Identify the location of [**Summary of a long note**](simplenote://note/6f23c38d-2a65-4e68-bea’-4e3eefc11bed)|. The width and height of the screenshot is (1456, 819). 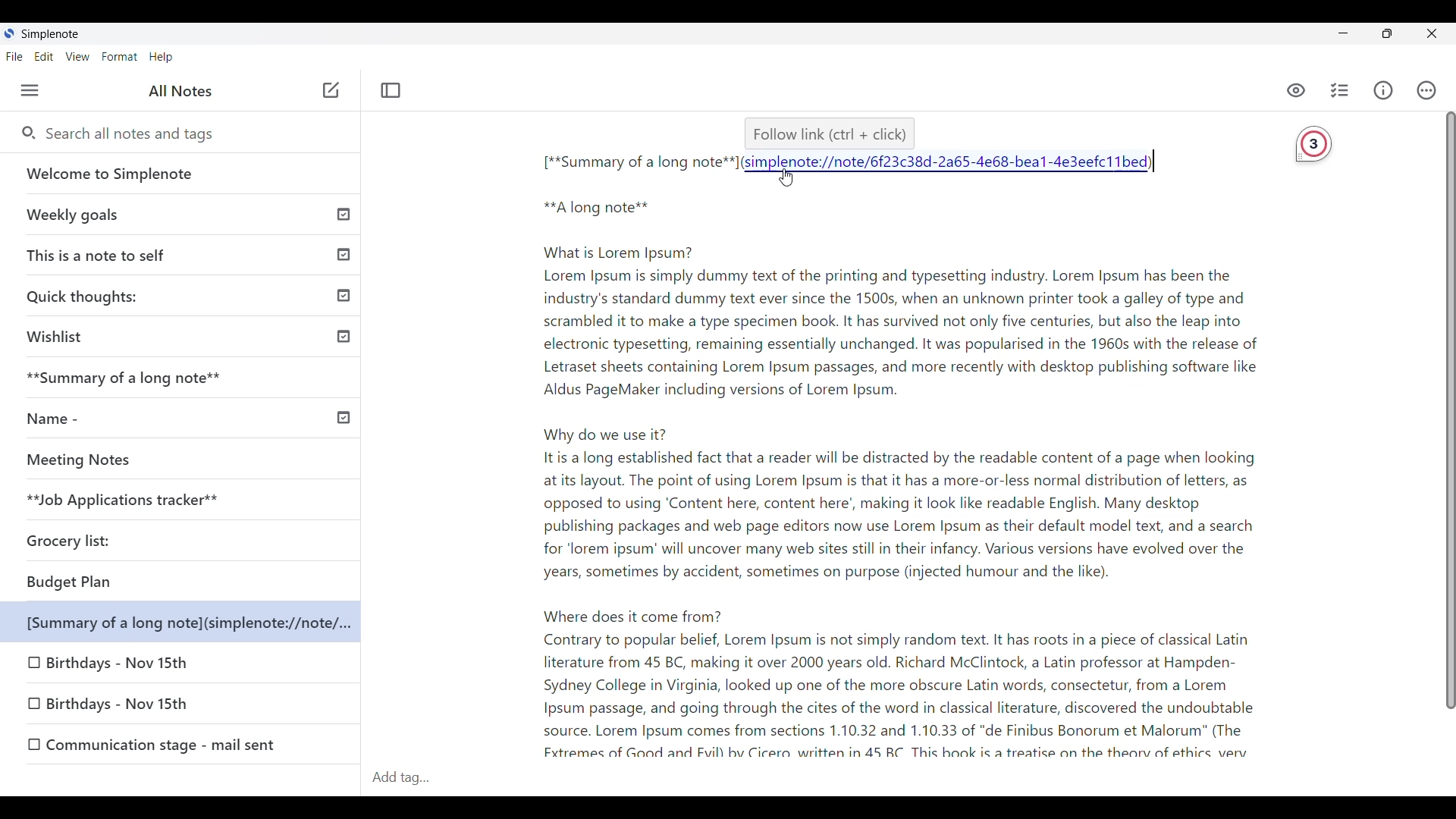
(858, 165).